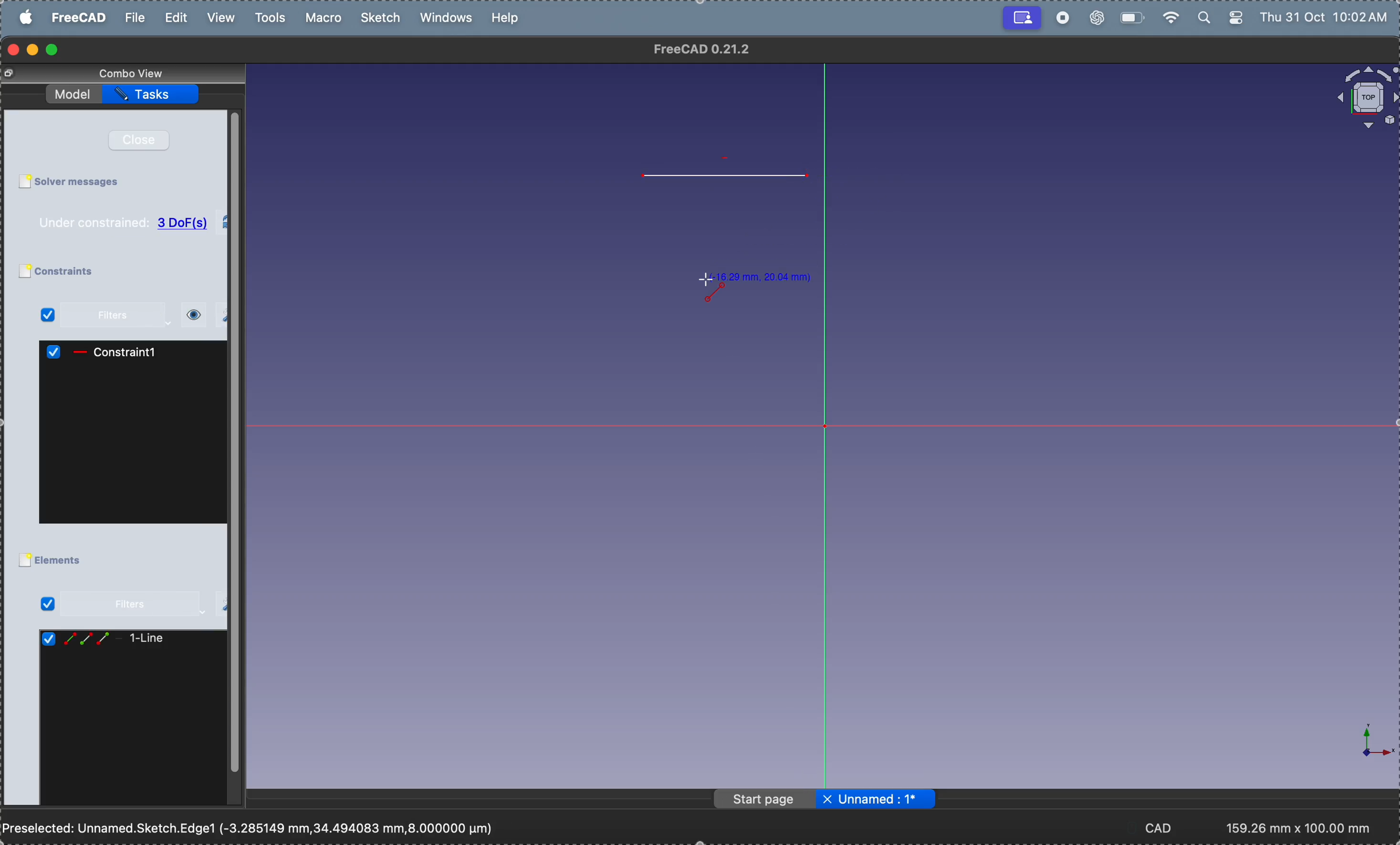 Image resolution: width=1400 pixels, height=845 pixels. I want to click on axis, so click(1366, 742).